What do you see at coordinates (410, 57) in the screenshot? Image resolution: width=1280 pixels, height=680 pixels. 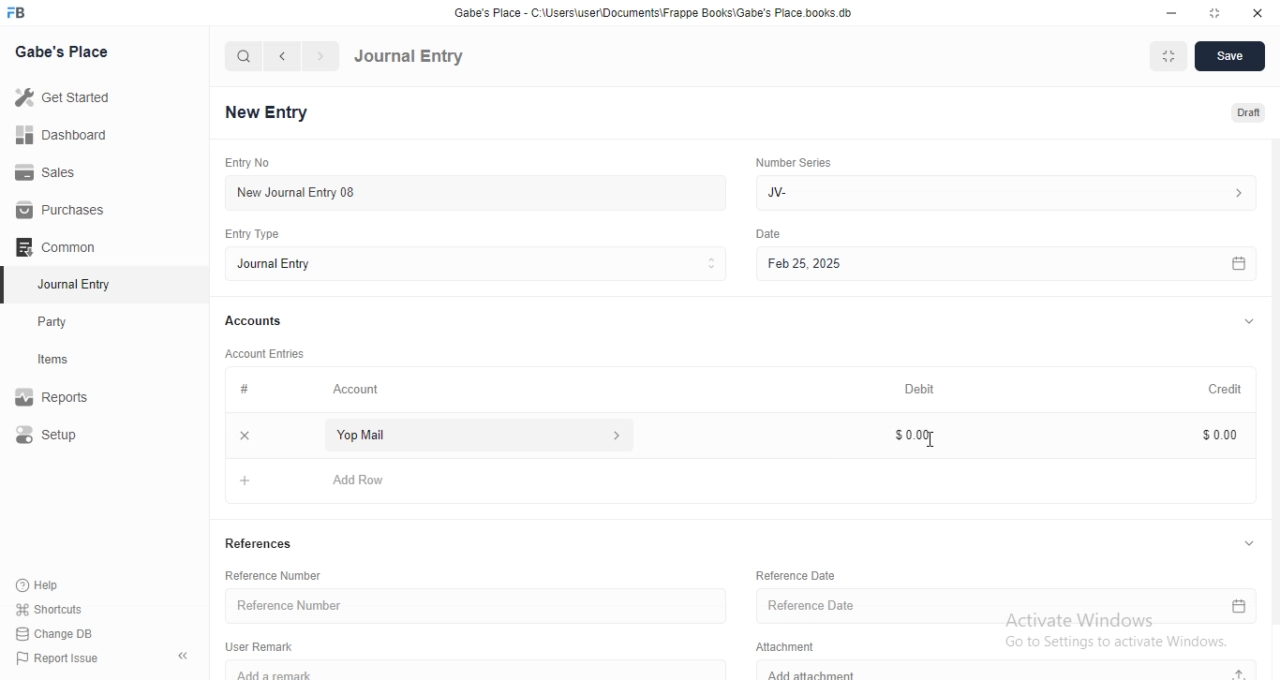 I see `Journal Entry` at bounding box center [410, 57].